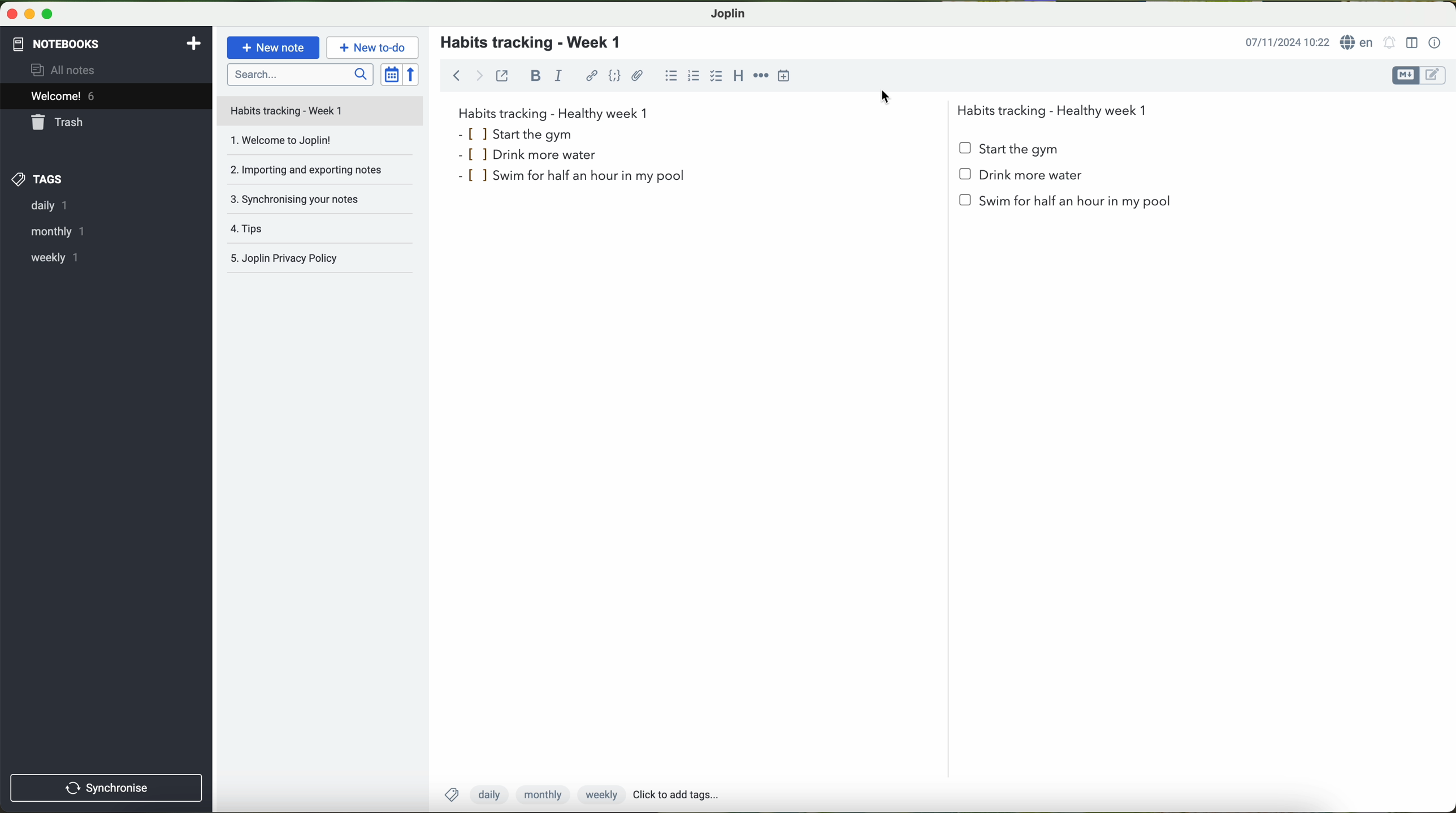 The width and height of the screenshot is (1456, 813). What do you see at coordinates (27, 13) in the screenshot?
I see `minimize` at bounding box center [27, 13].